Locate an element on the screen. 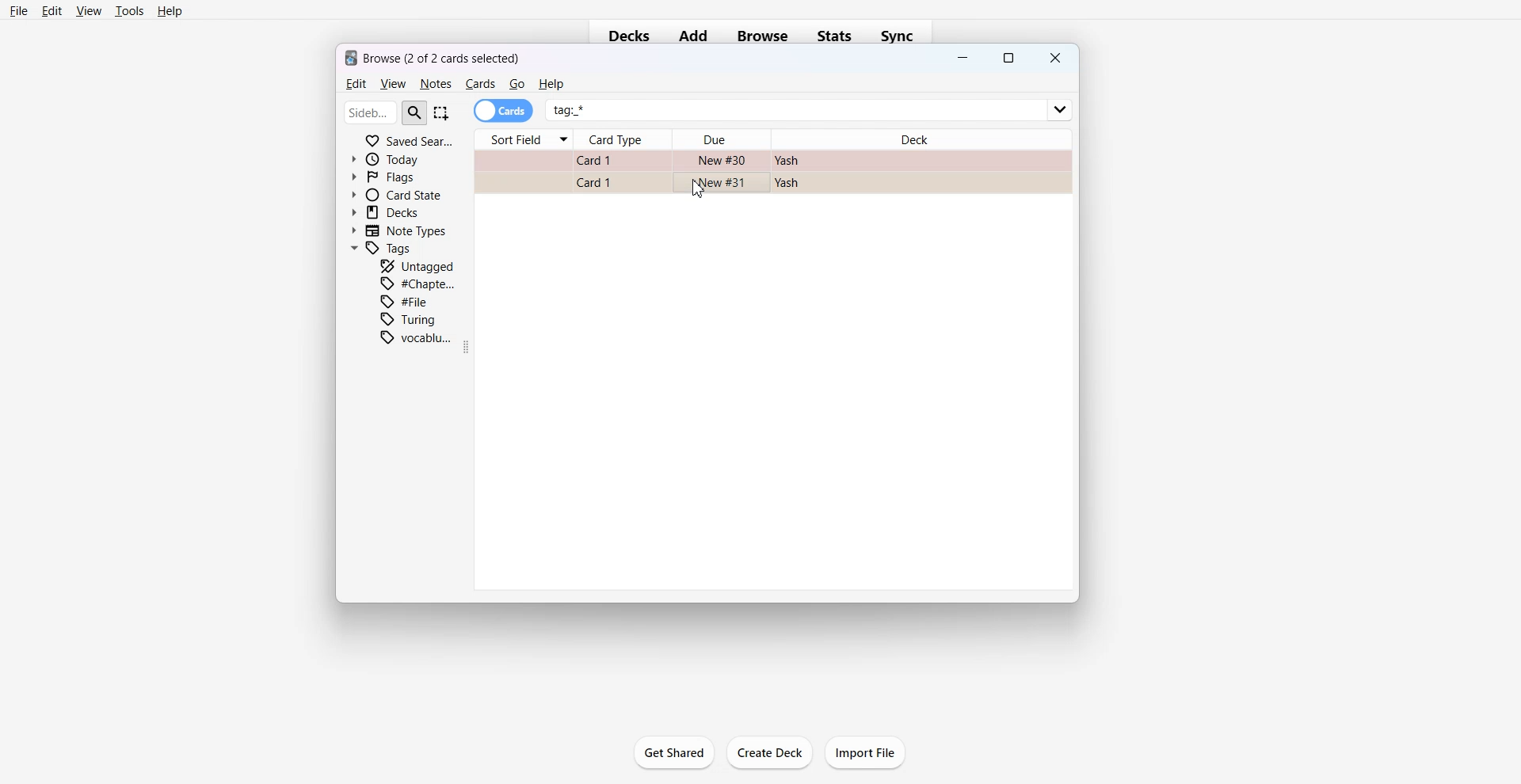  Edit is located at coordinates (52, 10).